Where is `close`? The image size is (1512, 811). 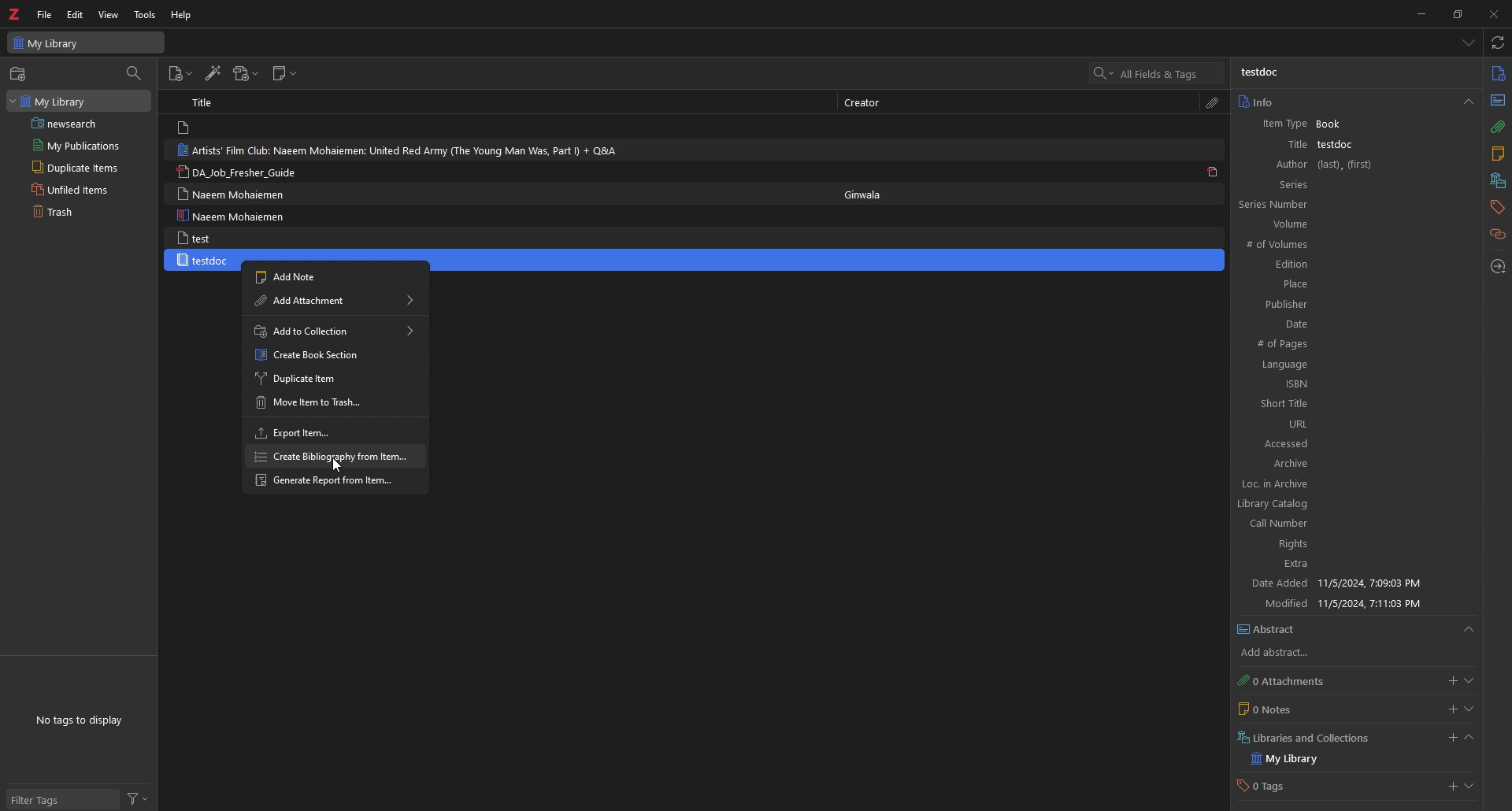 close is located at coordinates (1492, 13).